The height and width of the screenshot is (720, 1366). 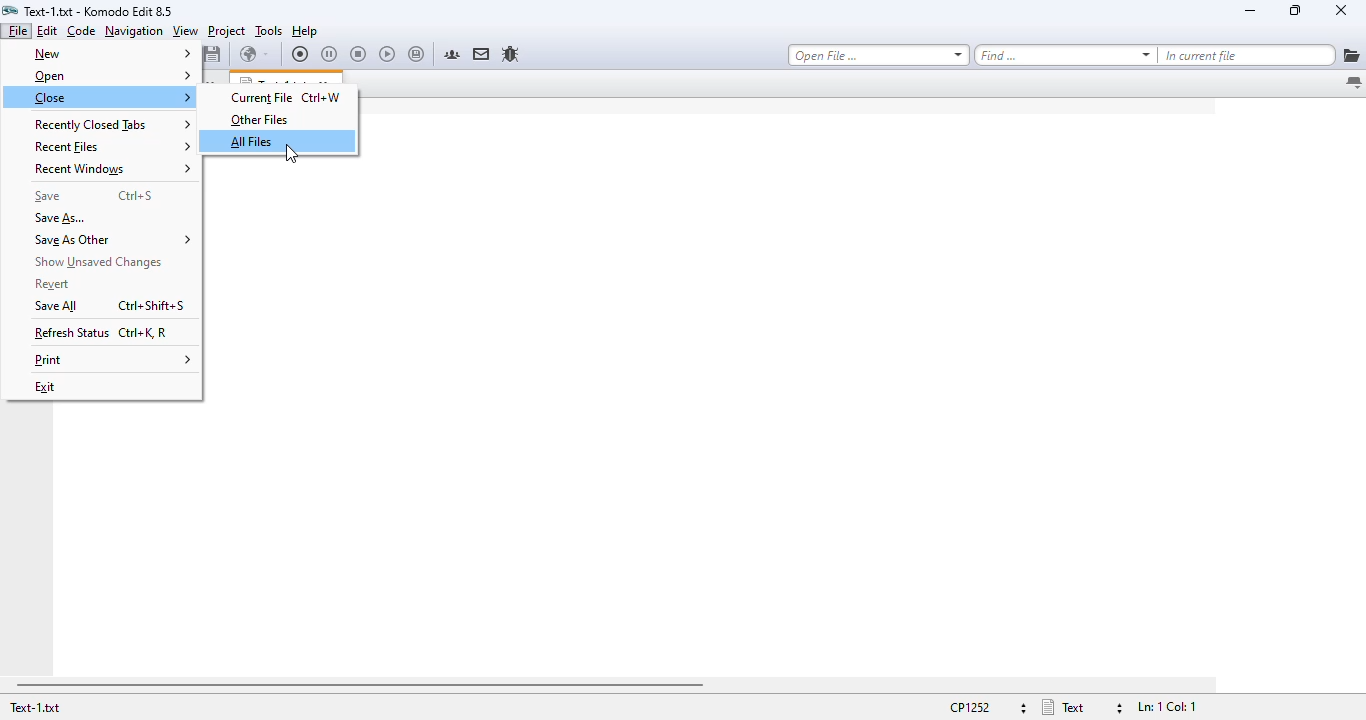 I want to click on edit, so click(x=46, y=30).